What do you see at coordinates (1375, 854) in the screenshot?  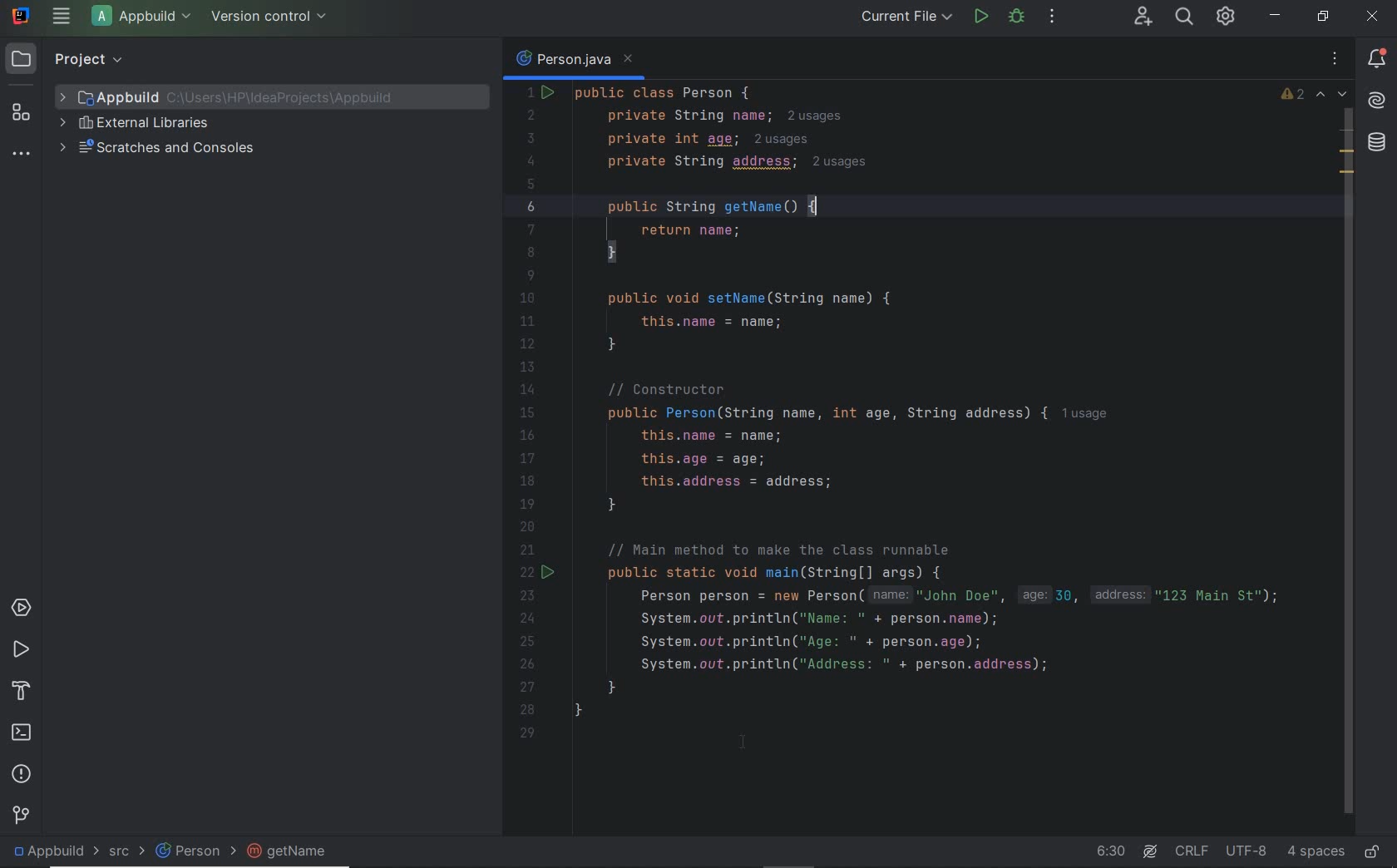 I see `make file ready only` at bounding box center [1375, 854].